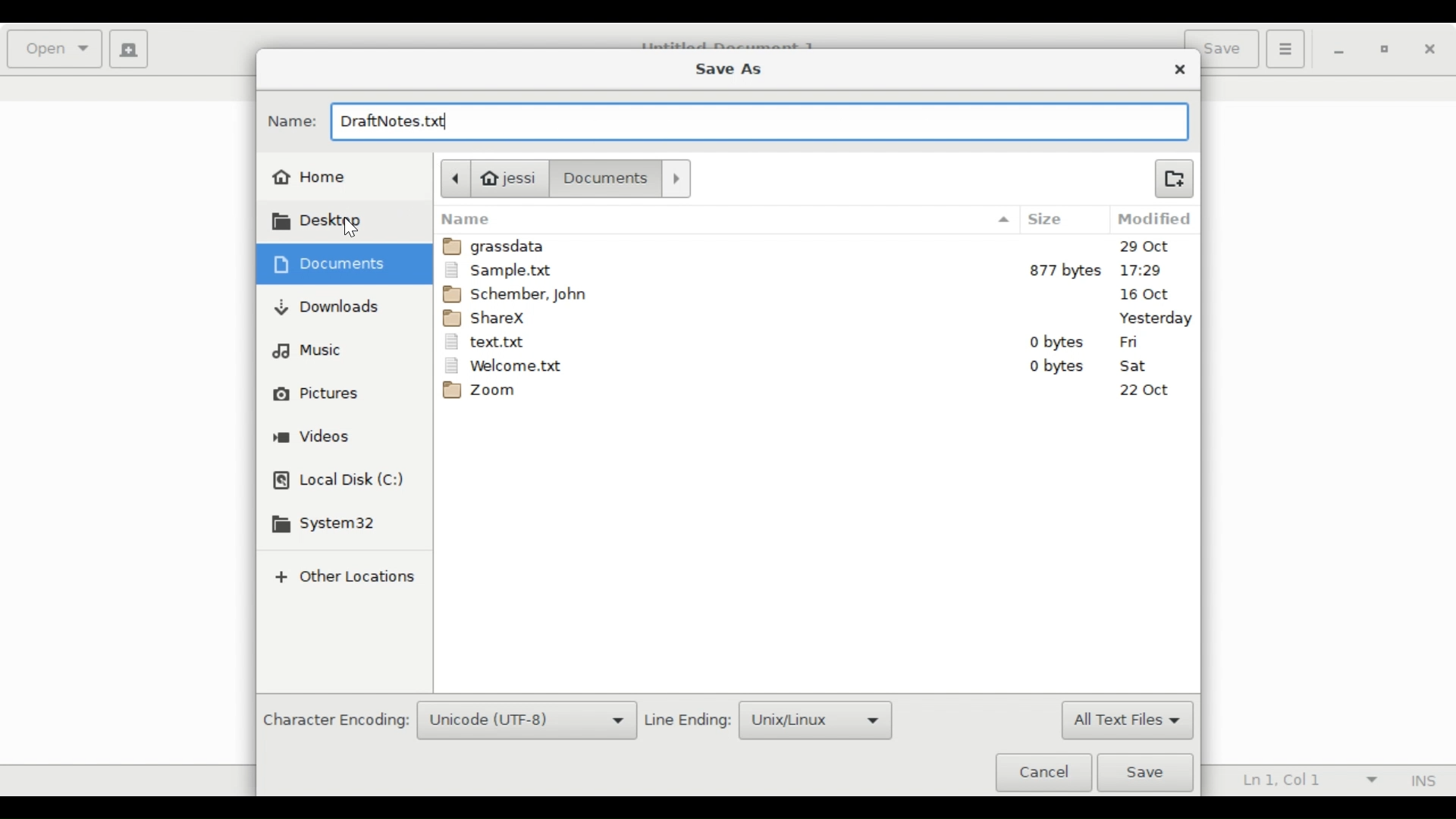 This screenshot has height=819, width=1456. What do you see at coordinates (325, 221) in the screenshot?
I see `Desktop` at bounding box center [325, 221].